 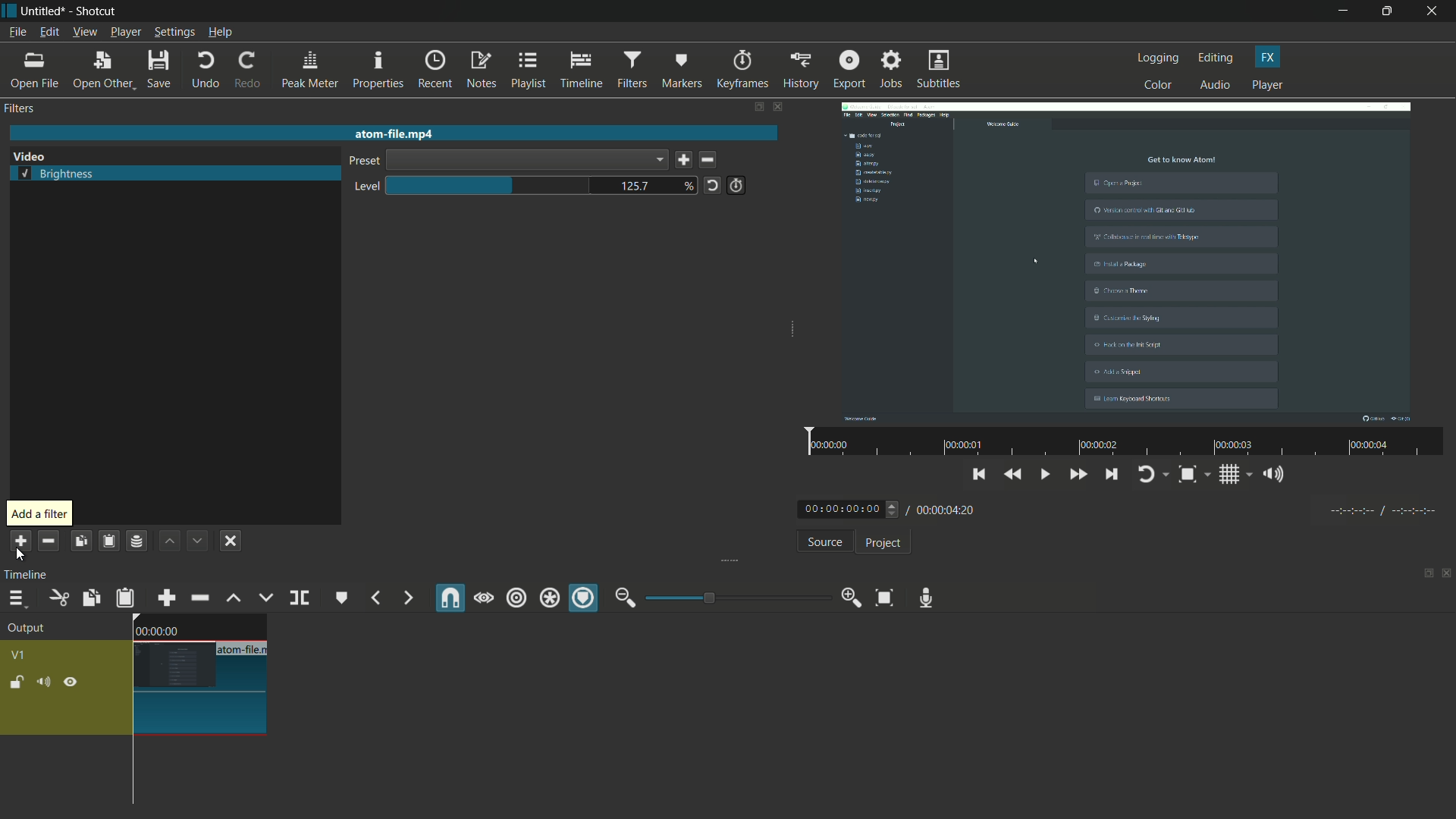 I want to click on delete, so click(x=711, y=161).